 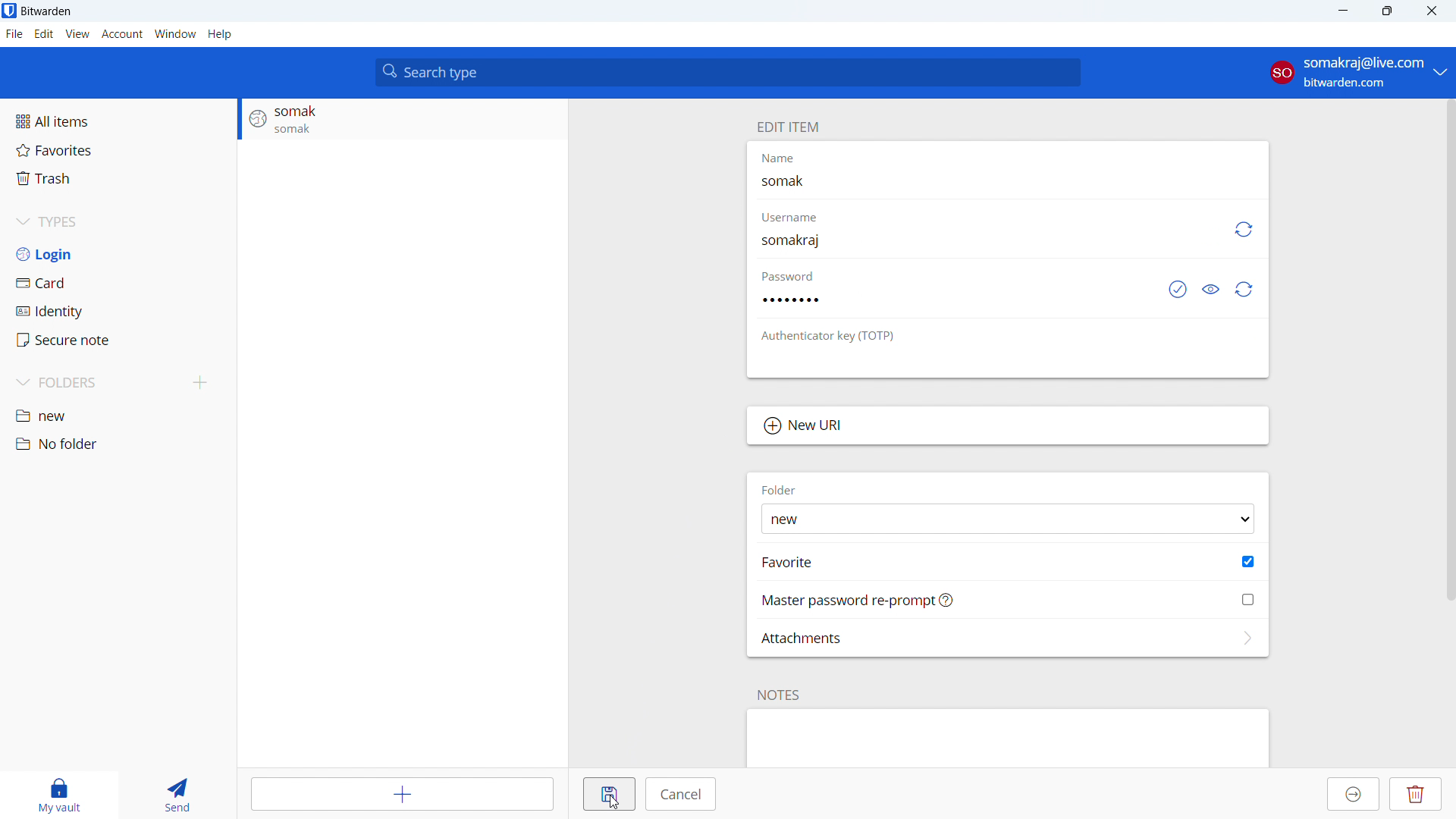 What do you see at coordinates (1430, 11) in the screenshot?
I see `close` at bounding box center [1430, 11].